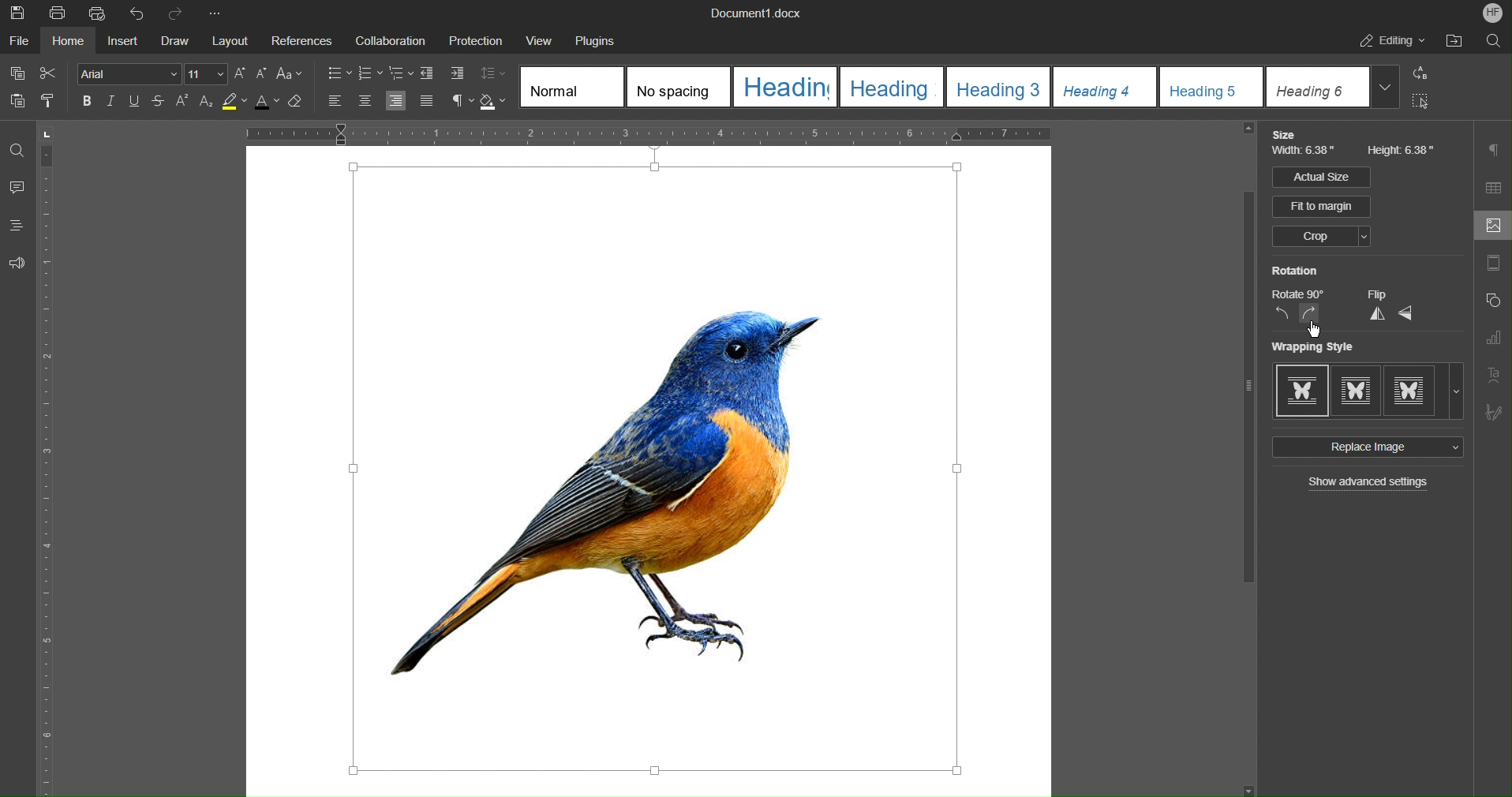  I want to click on Editing, so click(1389, 42).